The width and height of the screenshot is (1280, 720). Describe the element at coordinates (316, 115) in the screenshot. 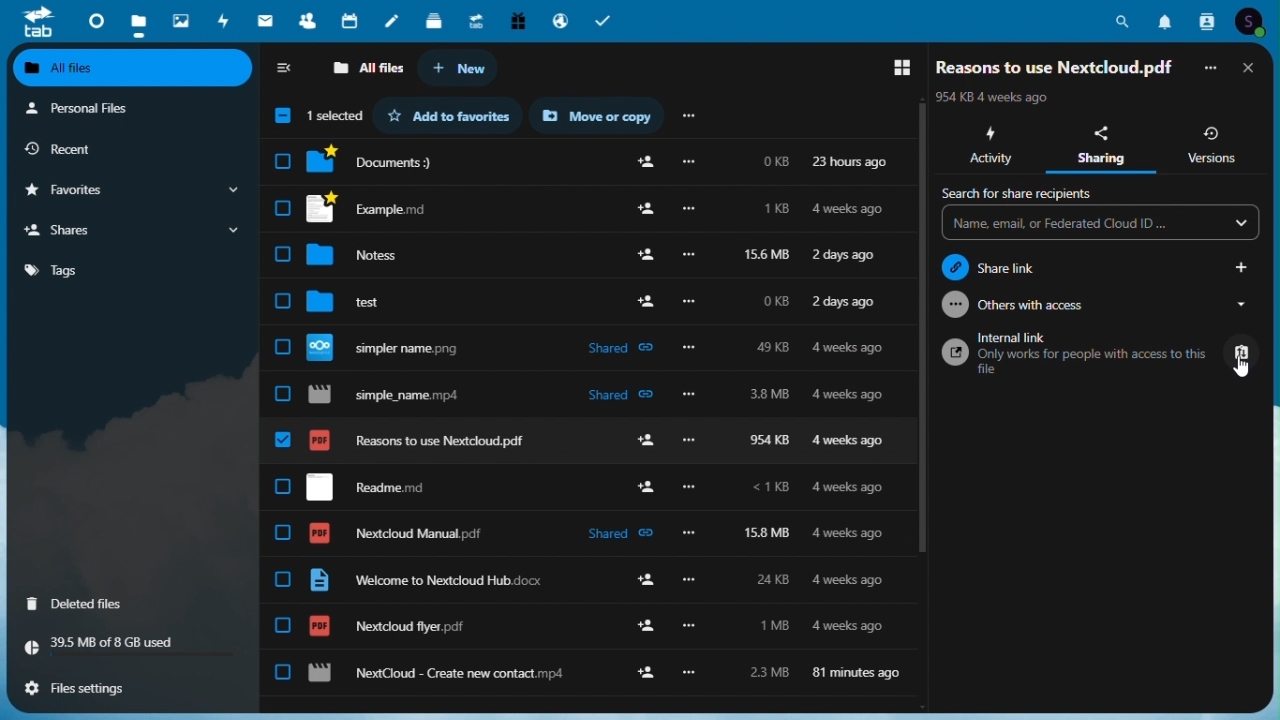

I see `selection box` at that location.